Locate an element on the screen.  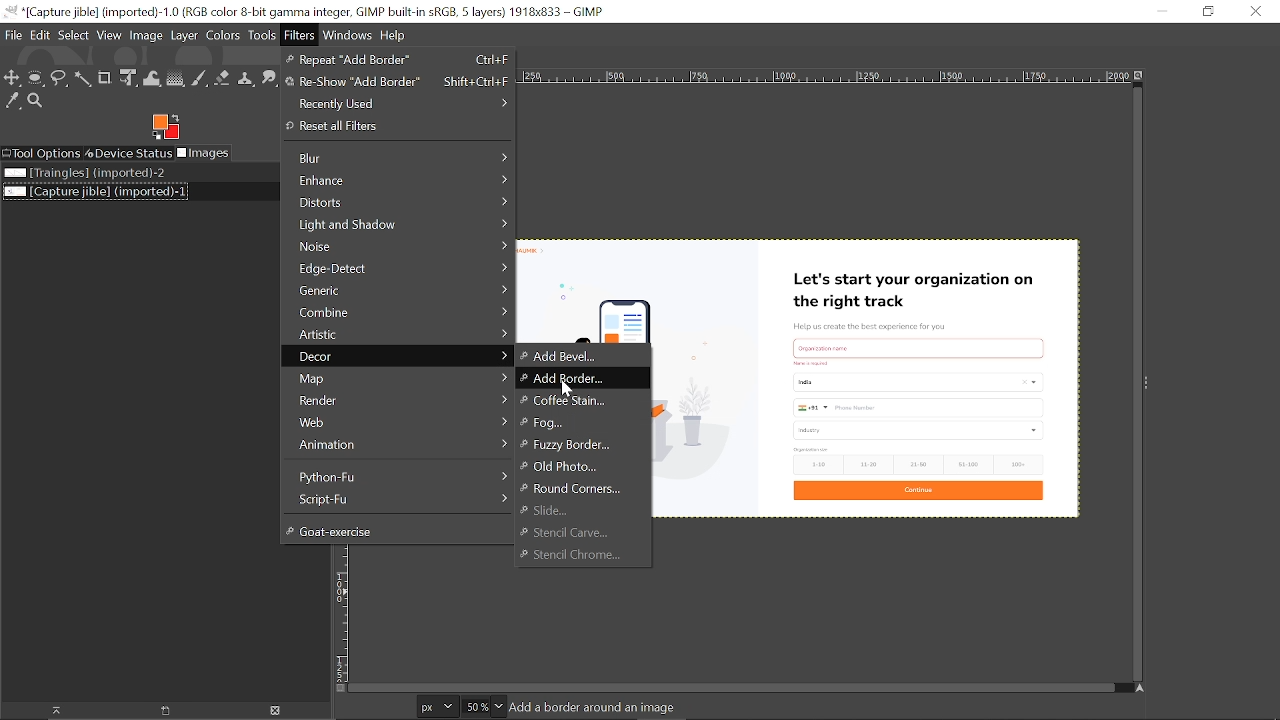
Current window is located at coordinates (310, 12).